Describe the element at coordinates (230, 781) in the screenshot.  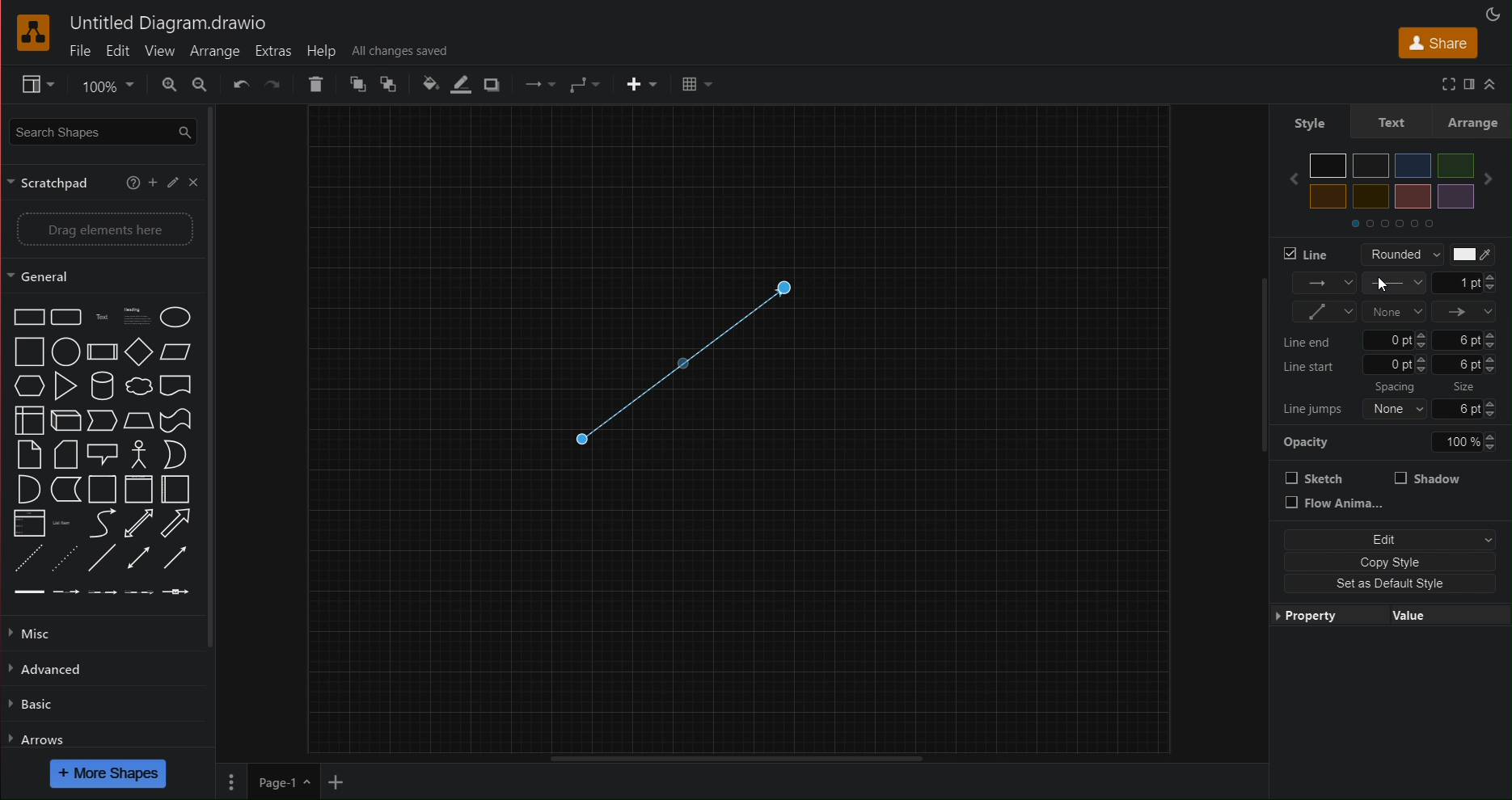
I see `options` at that location.